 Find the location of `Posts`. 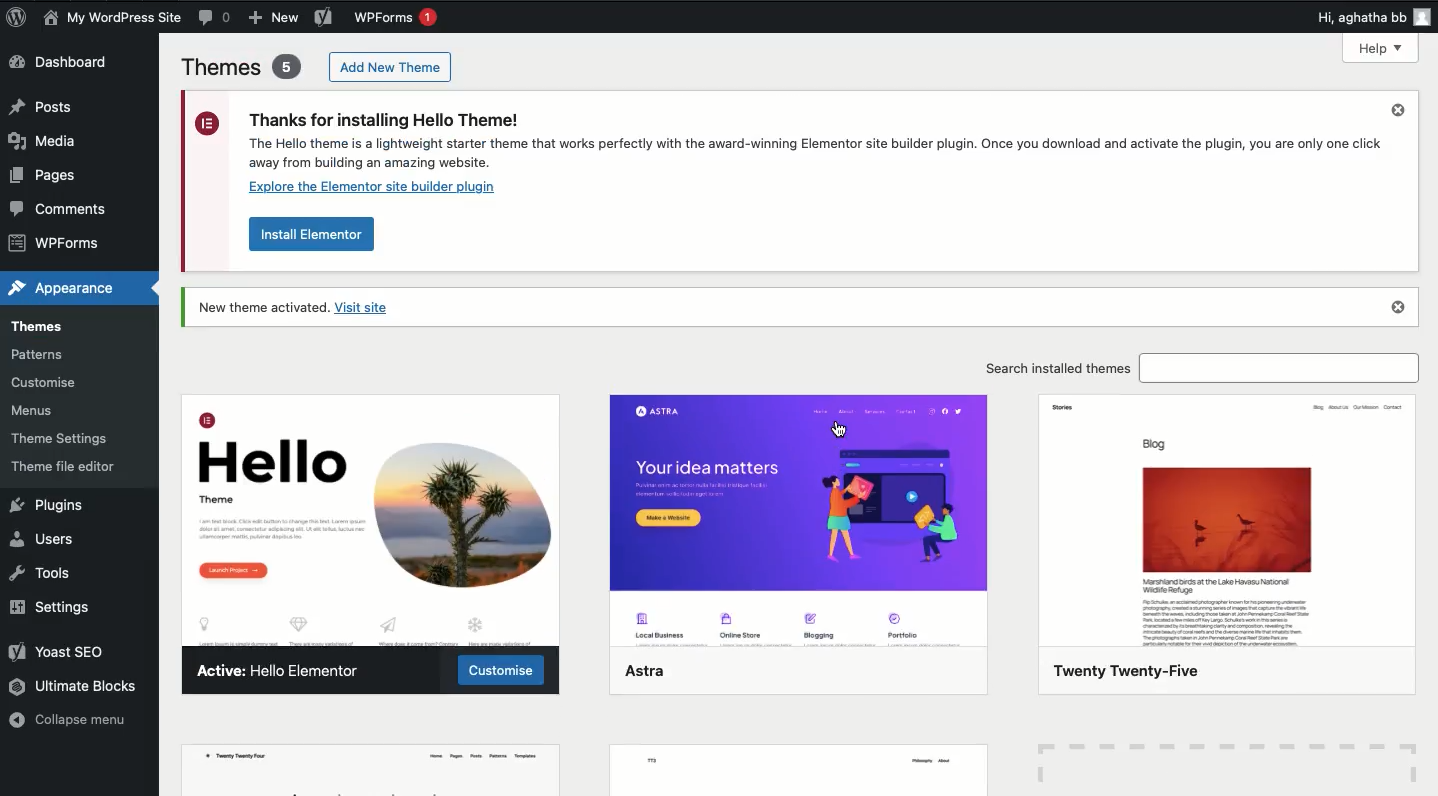

Posts is located at coordinates (43, 109).